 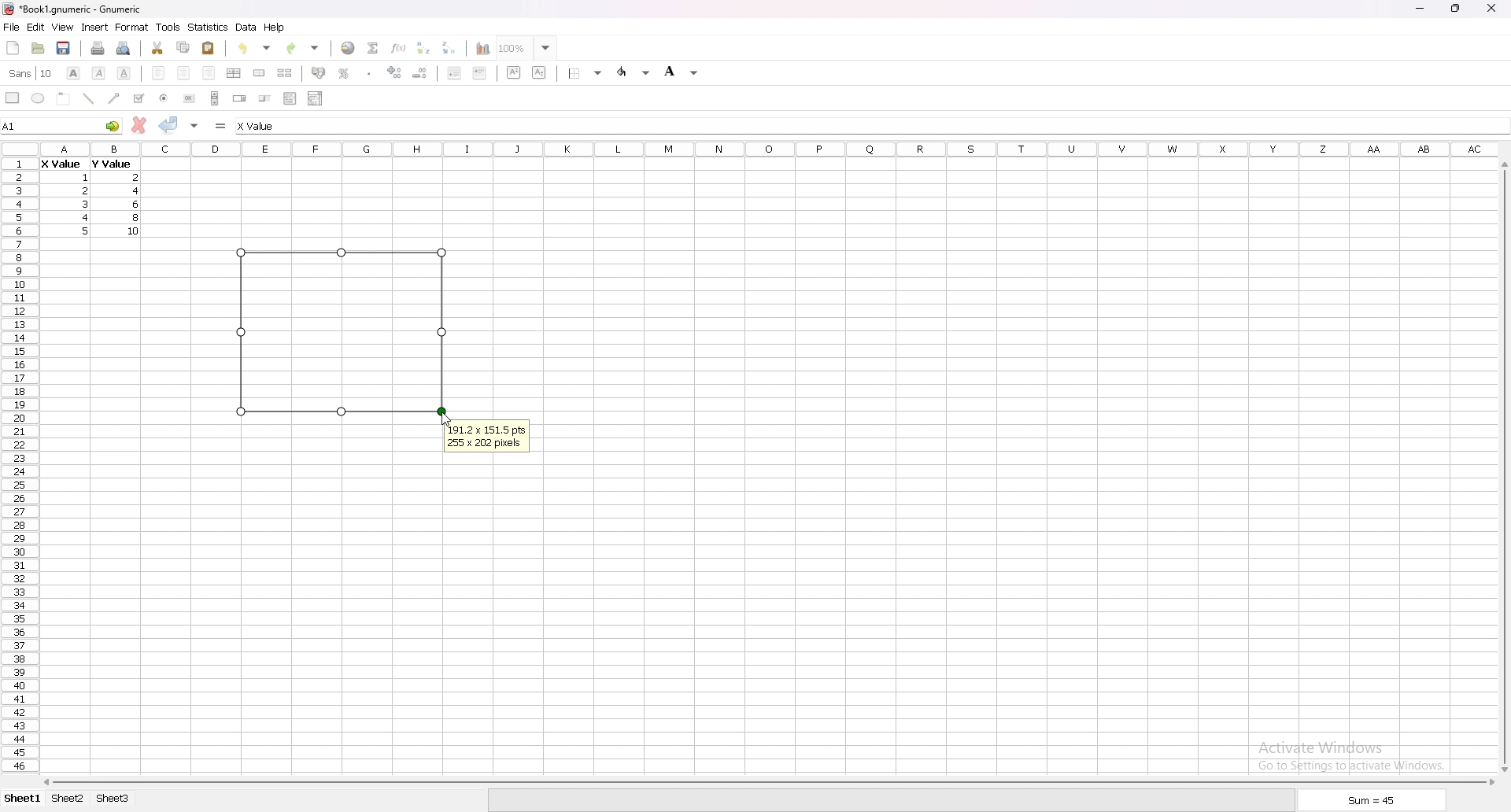 What do you see at coordinates (189, 98) in the screenshot?
I see `button` at bounding box center [189, 98].